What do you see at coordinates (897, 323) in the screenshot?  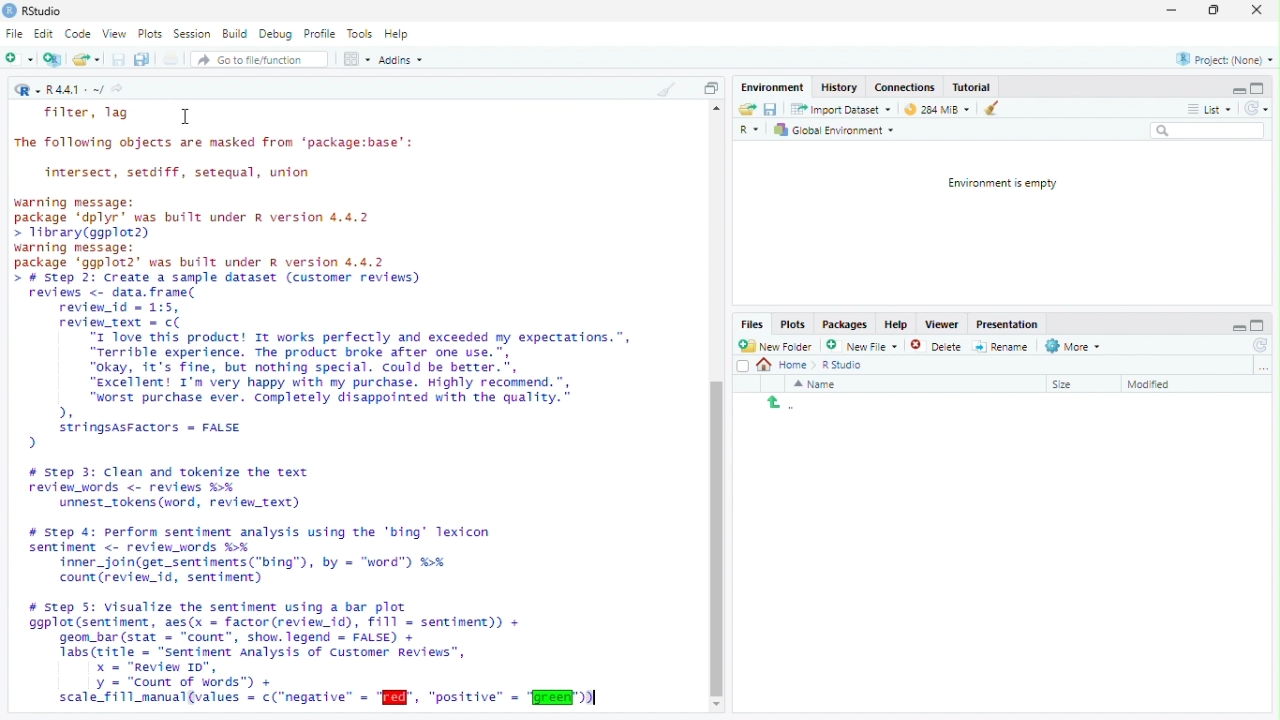 I see `Help` at bounding box center [897, 323].